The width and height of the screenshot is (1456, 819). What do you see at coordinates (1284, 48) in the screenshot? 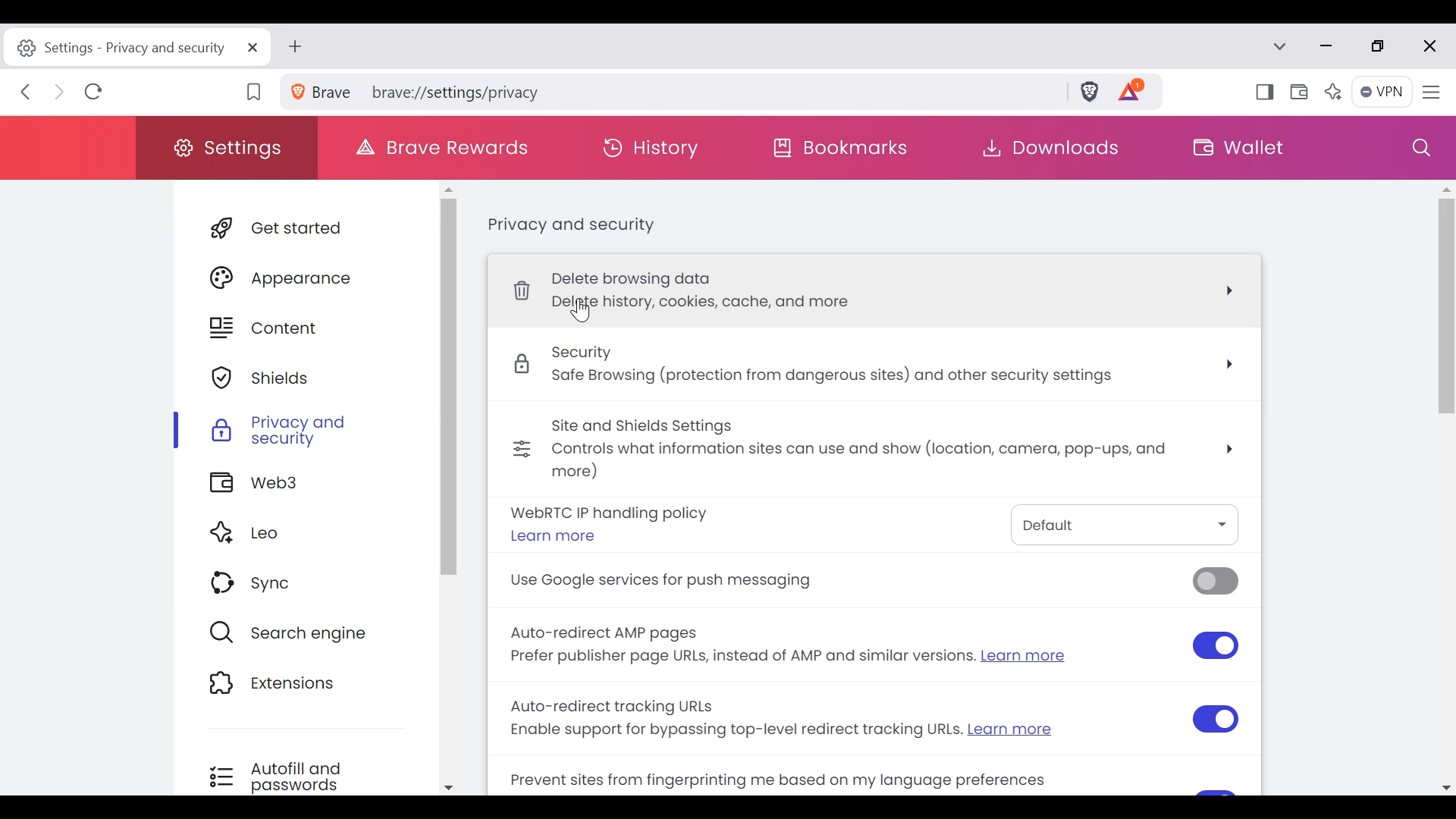
I see `Search tabs` at bounding box center [1284, 48].